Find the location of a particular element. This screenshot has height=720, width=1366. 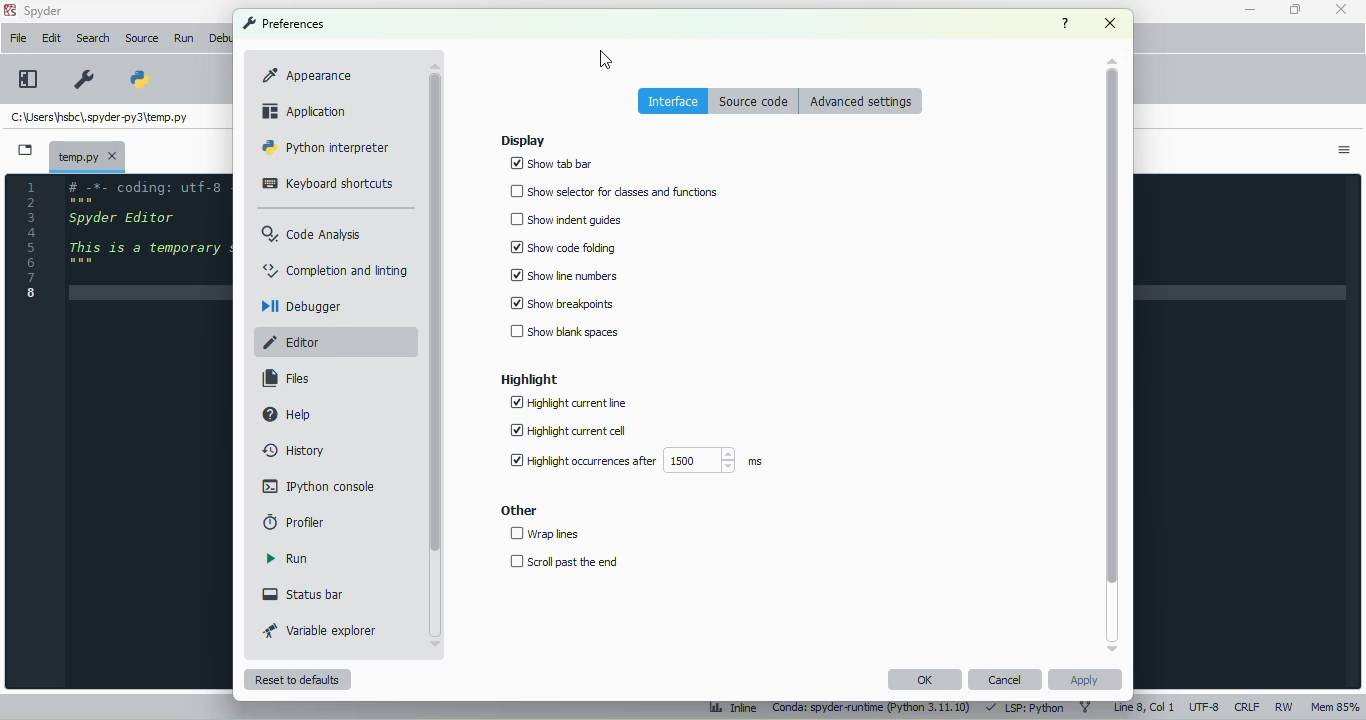

options is located at coordinates (1345, 150).